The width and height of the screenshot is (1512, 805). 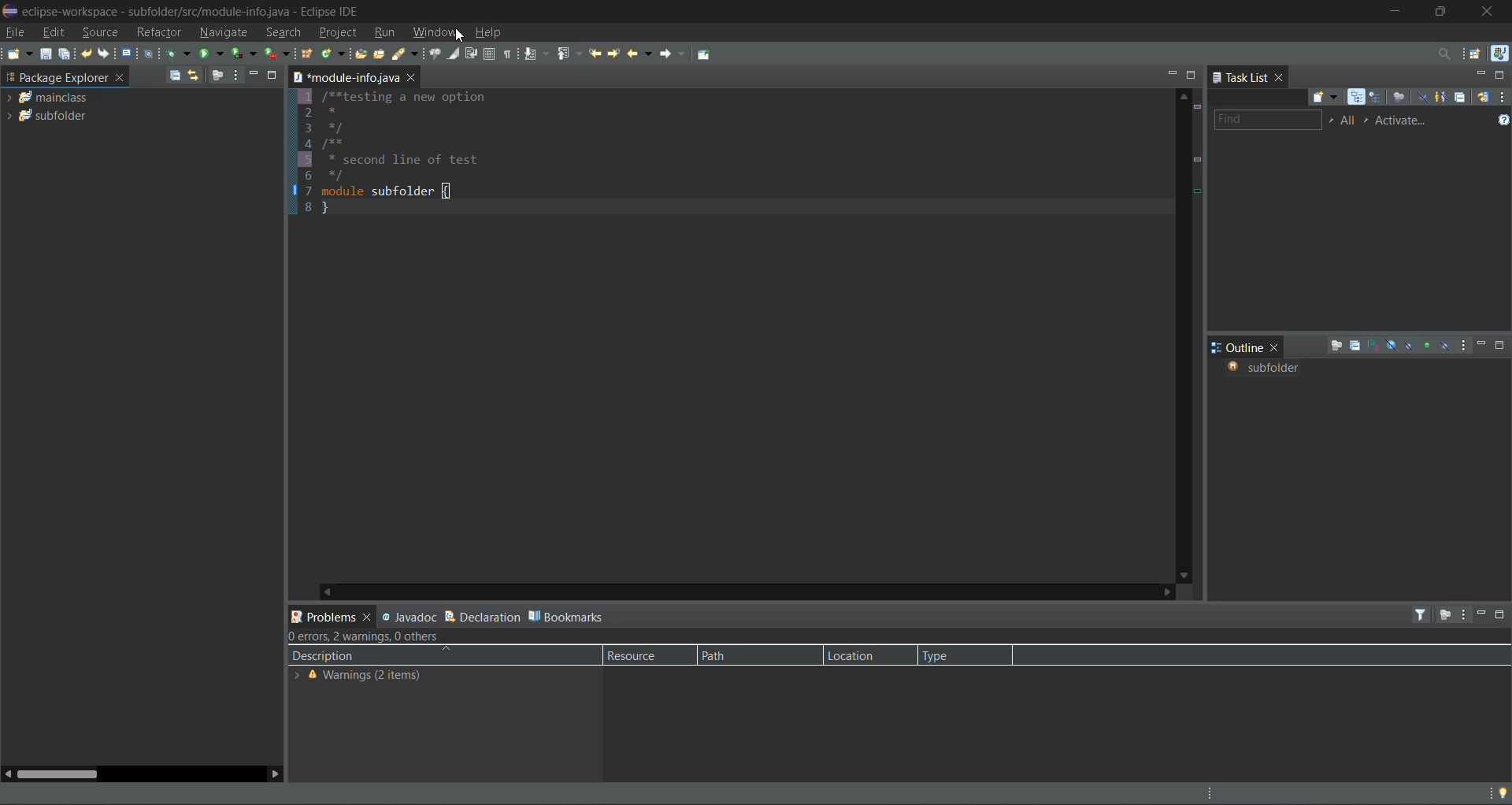 What do you see at coordinates (1445, 614) in the screenshot?
I see `focus on active task` at bounding box center [1445, 614].